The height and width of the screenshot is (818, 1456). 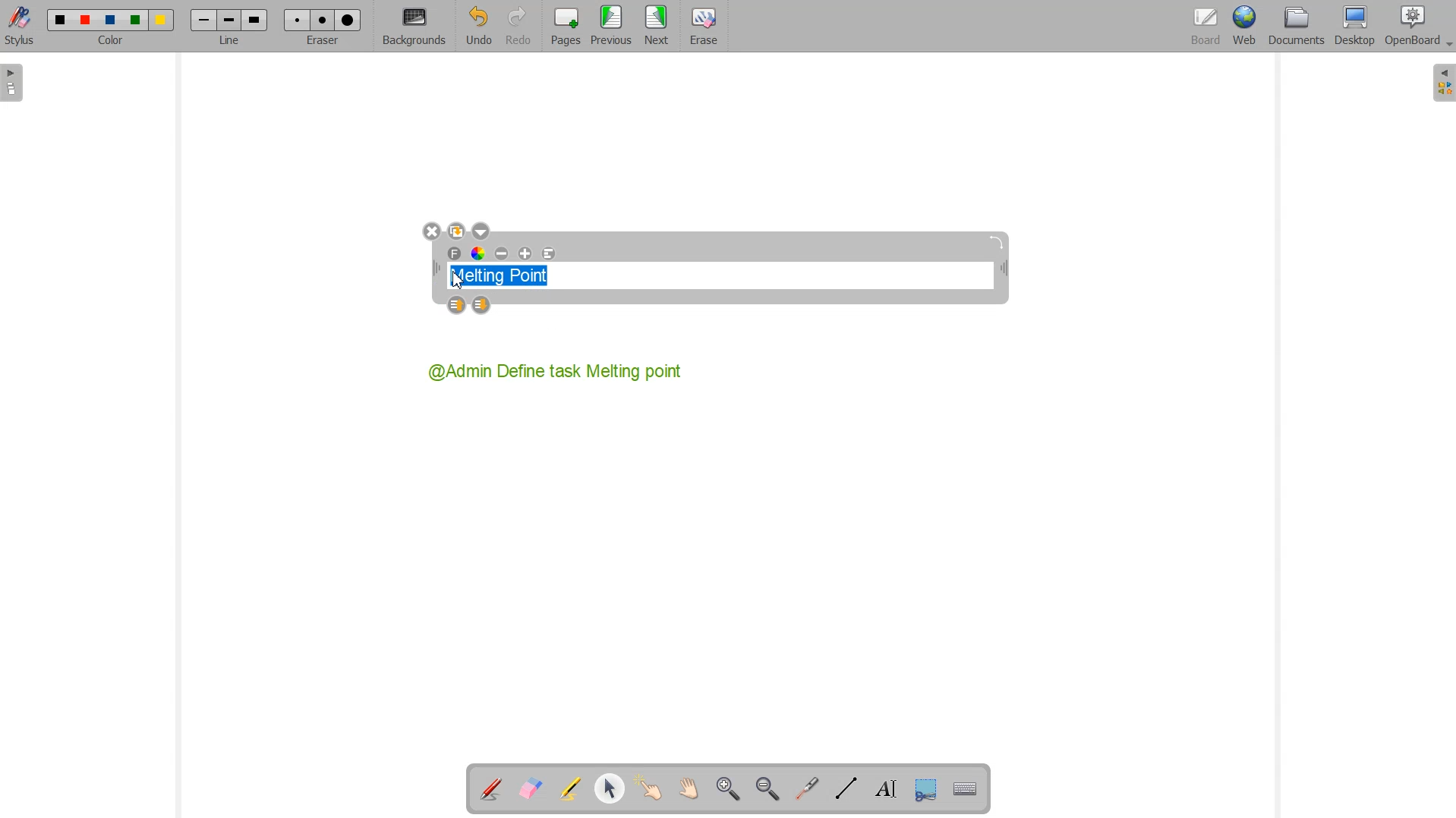 I want to click on Text Alignment, so click(x=548, y=254).